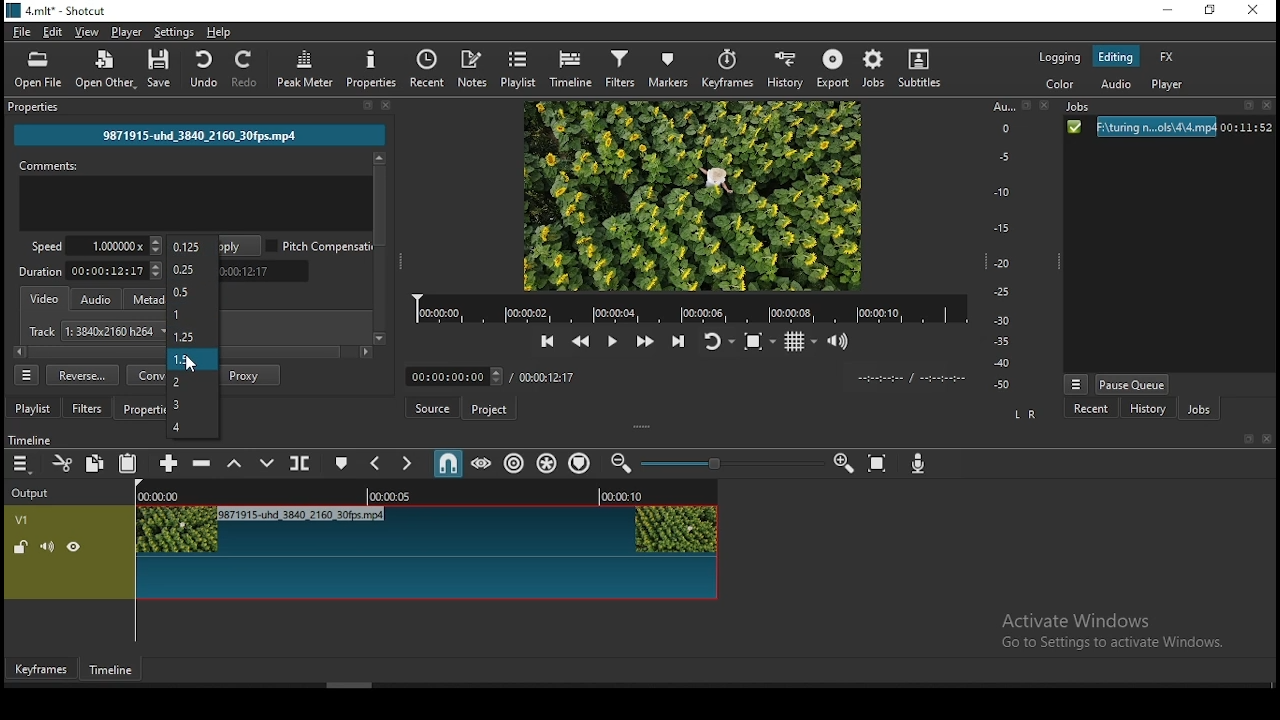 The image size is (1280, 720). Describe the element at coordinates (1253, 11) in the screenshot. I see `close window` at that location.